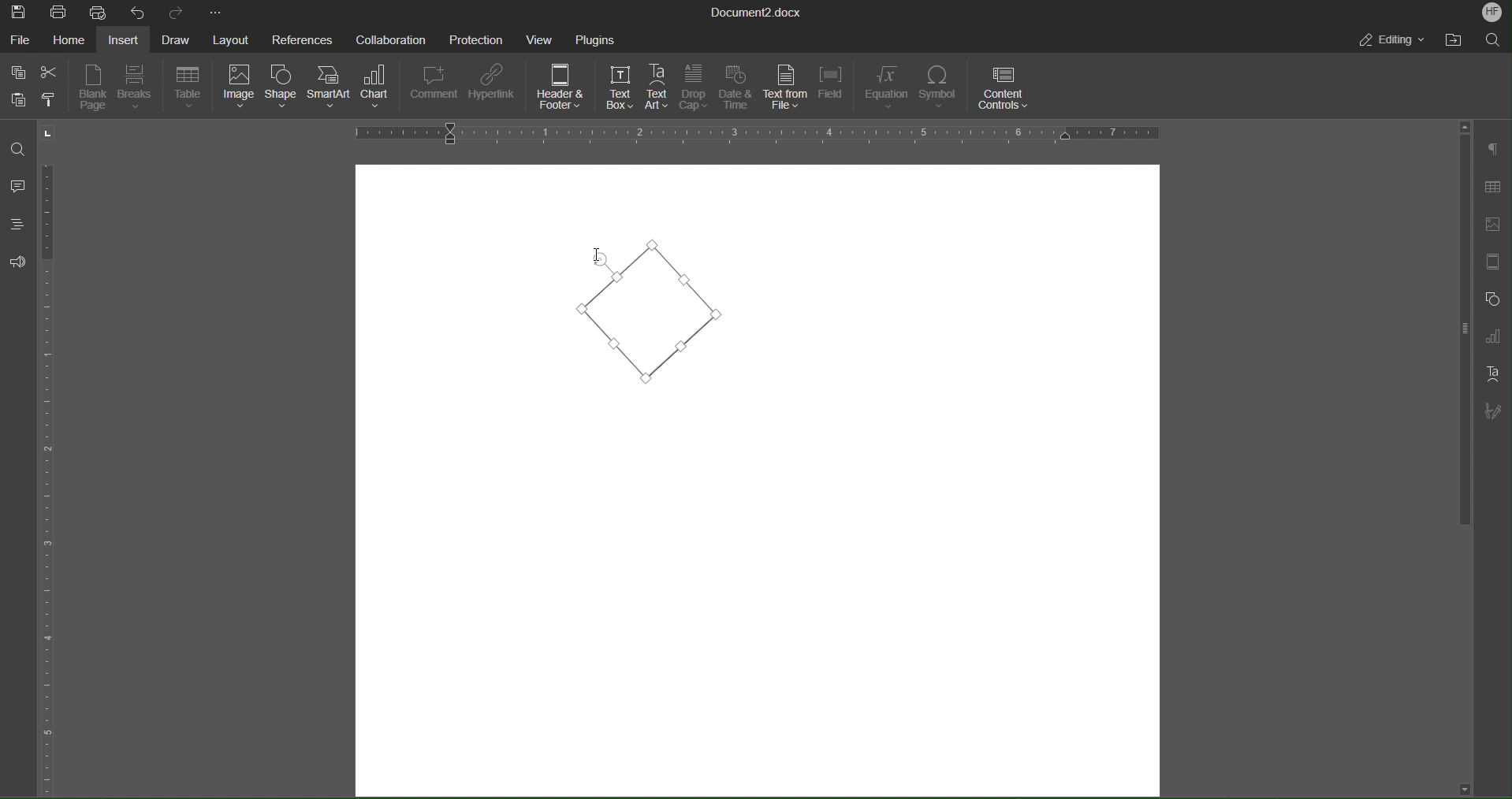  I want to click on Insert Image, so click(1490, 225).